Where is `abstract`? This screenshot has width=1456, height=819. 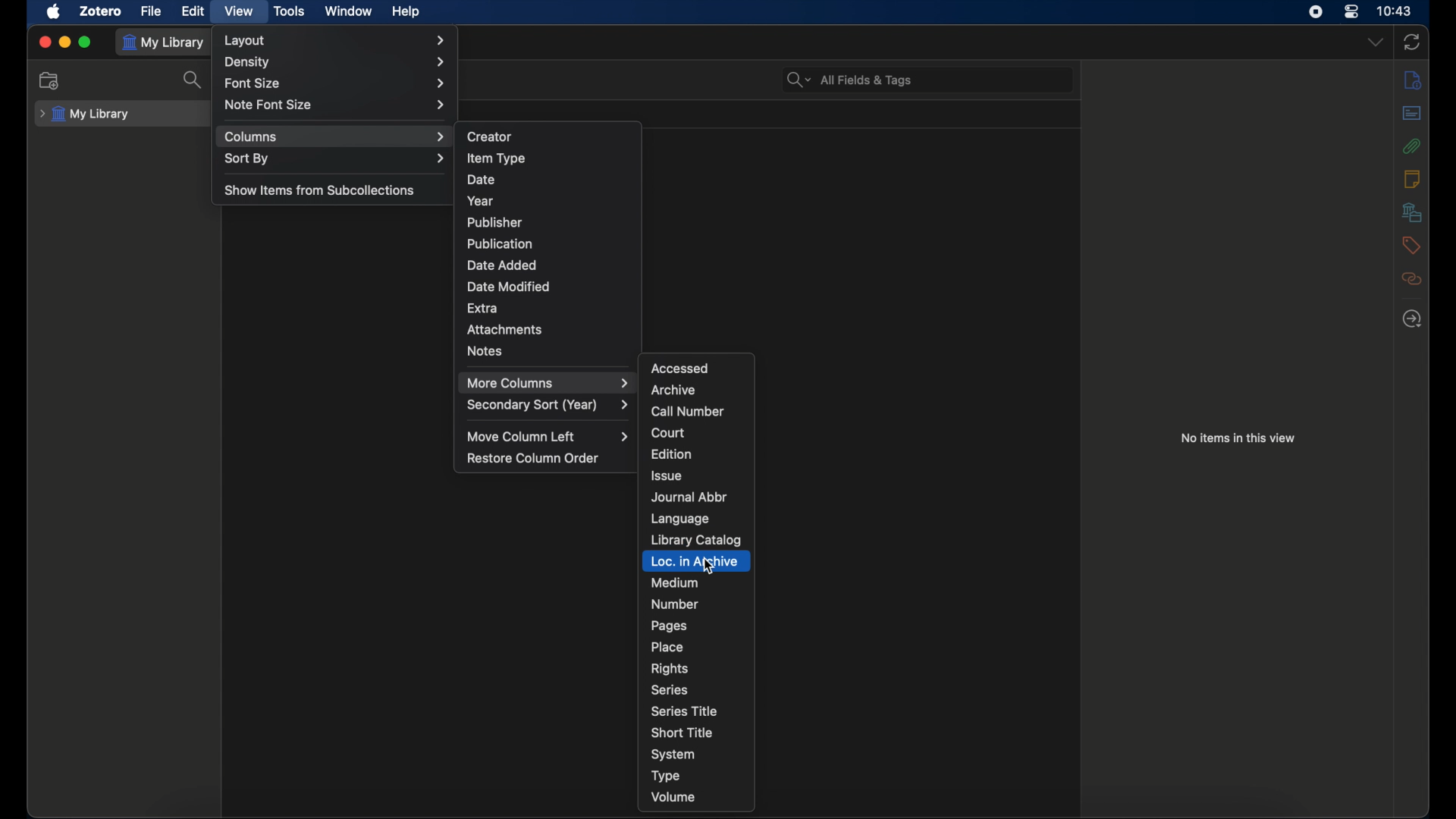 abstract is located at coordinates (1411, 112).